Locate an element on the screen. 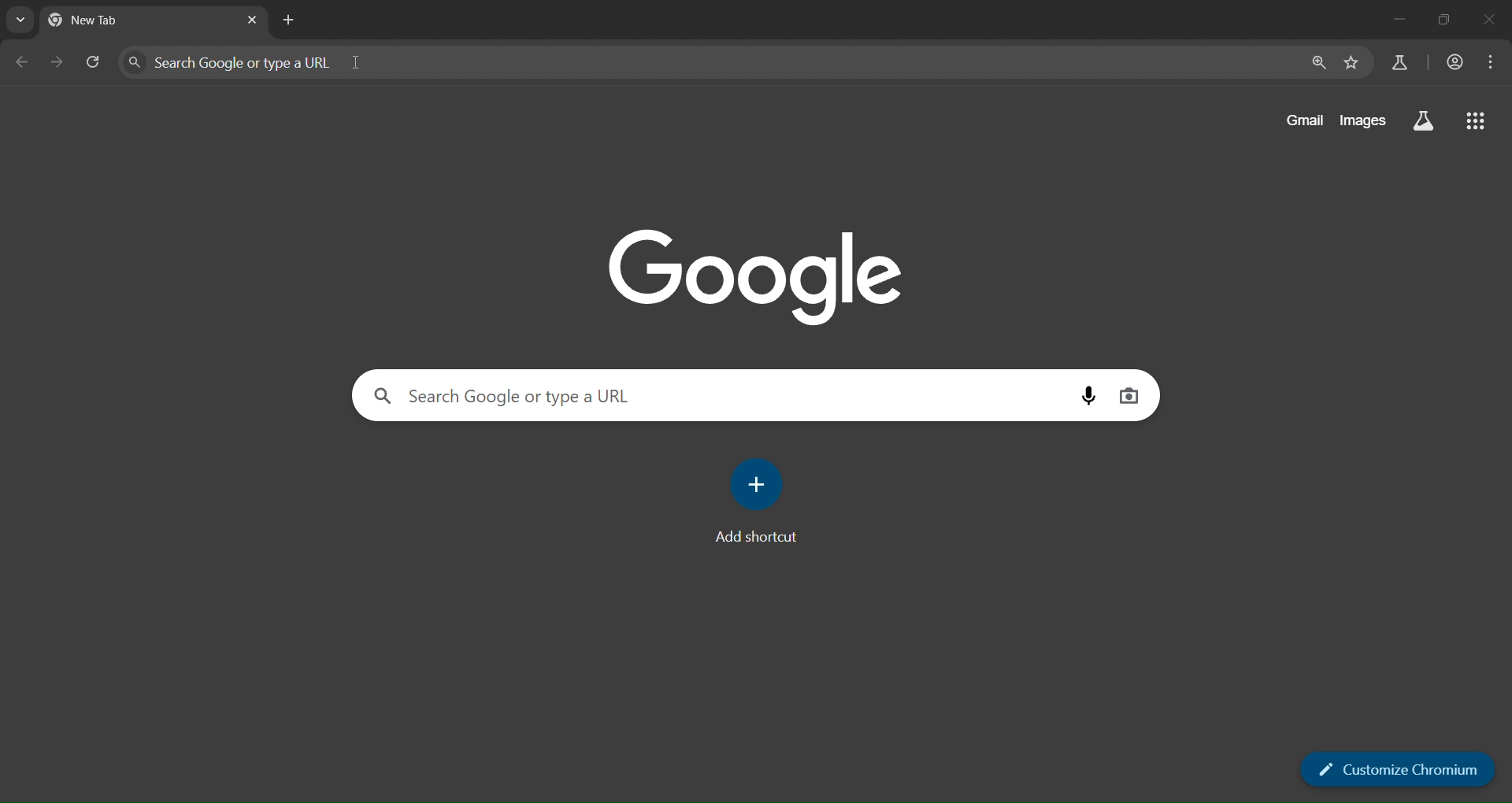  google apps is located at coordinates (1477, 120).